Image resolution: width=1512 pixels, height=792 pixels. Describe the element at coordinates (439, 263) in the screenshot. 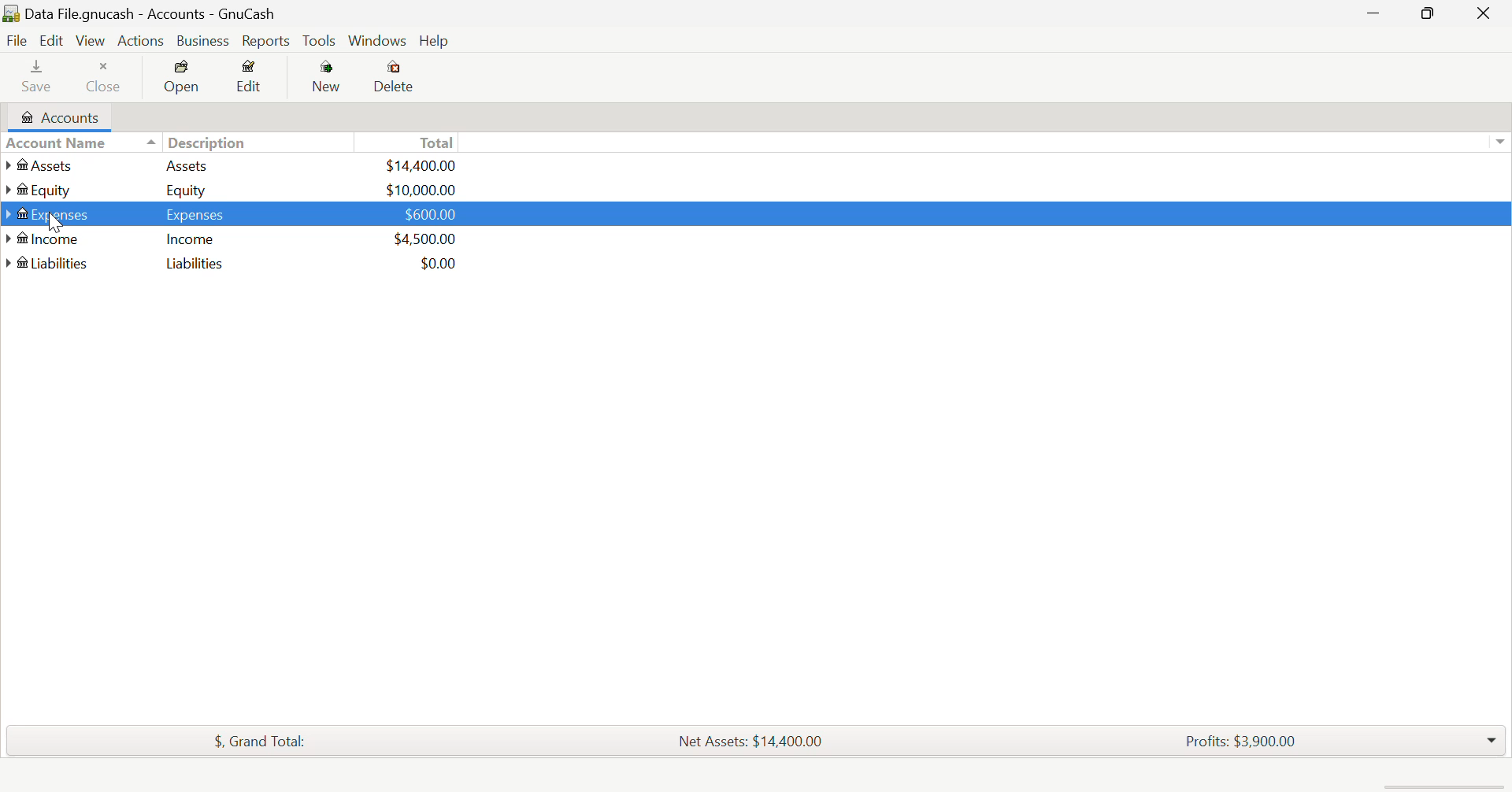

I see `USD` at that location.